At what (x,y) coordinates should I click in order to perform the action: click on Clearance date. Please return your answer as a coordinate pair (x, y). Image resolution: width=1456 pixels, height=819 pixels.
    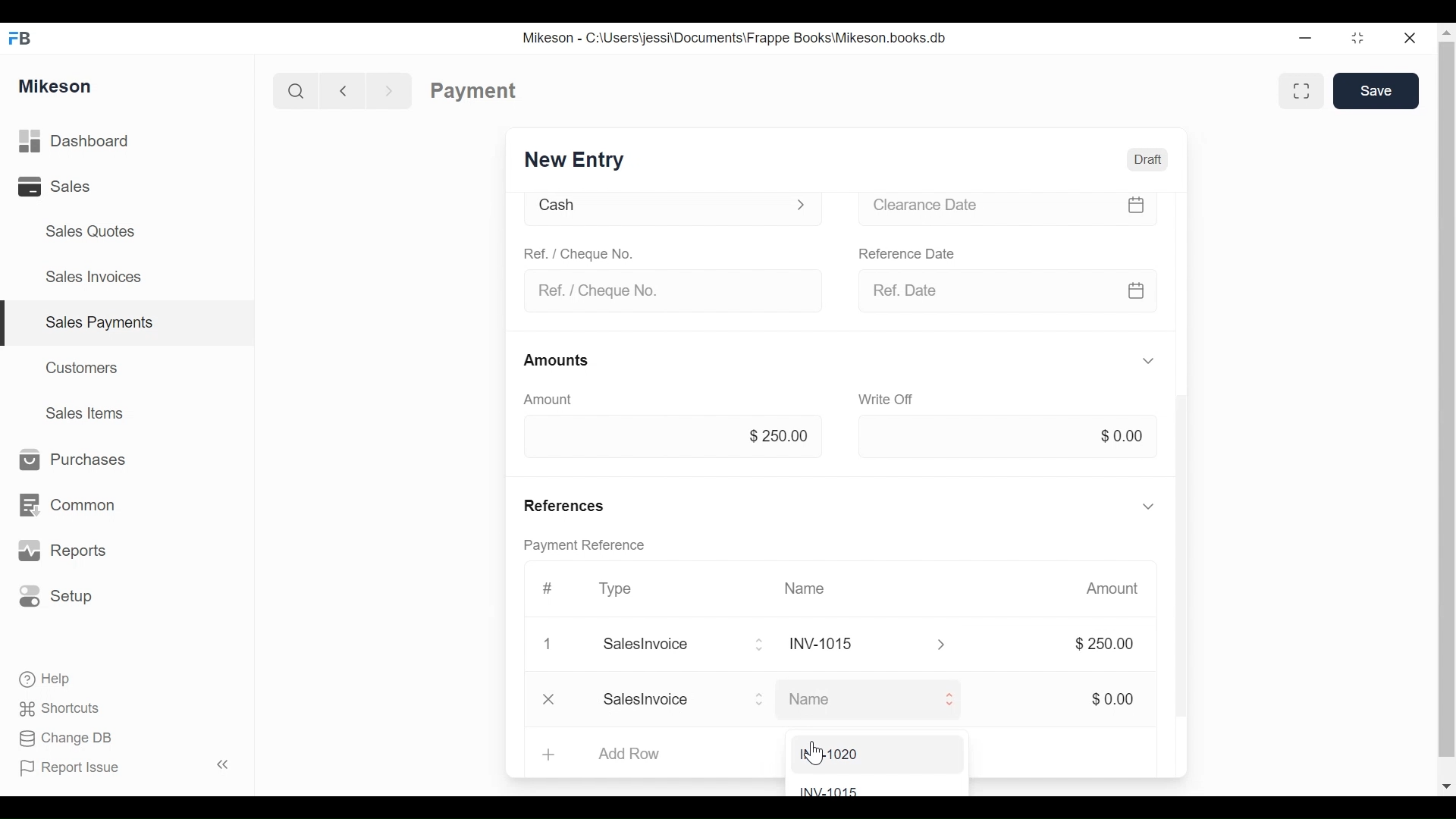
    Looking at the image, I should click on (1015, 209).